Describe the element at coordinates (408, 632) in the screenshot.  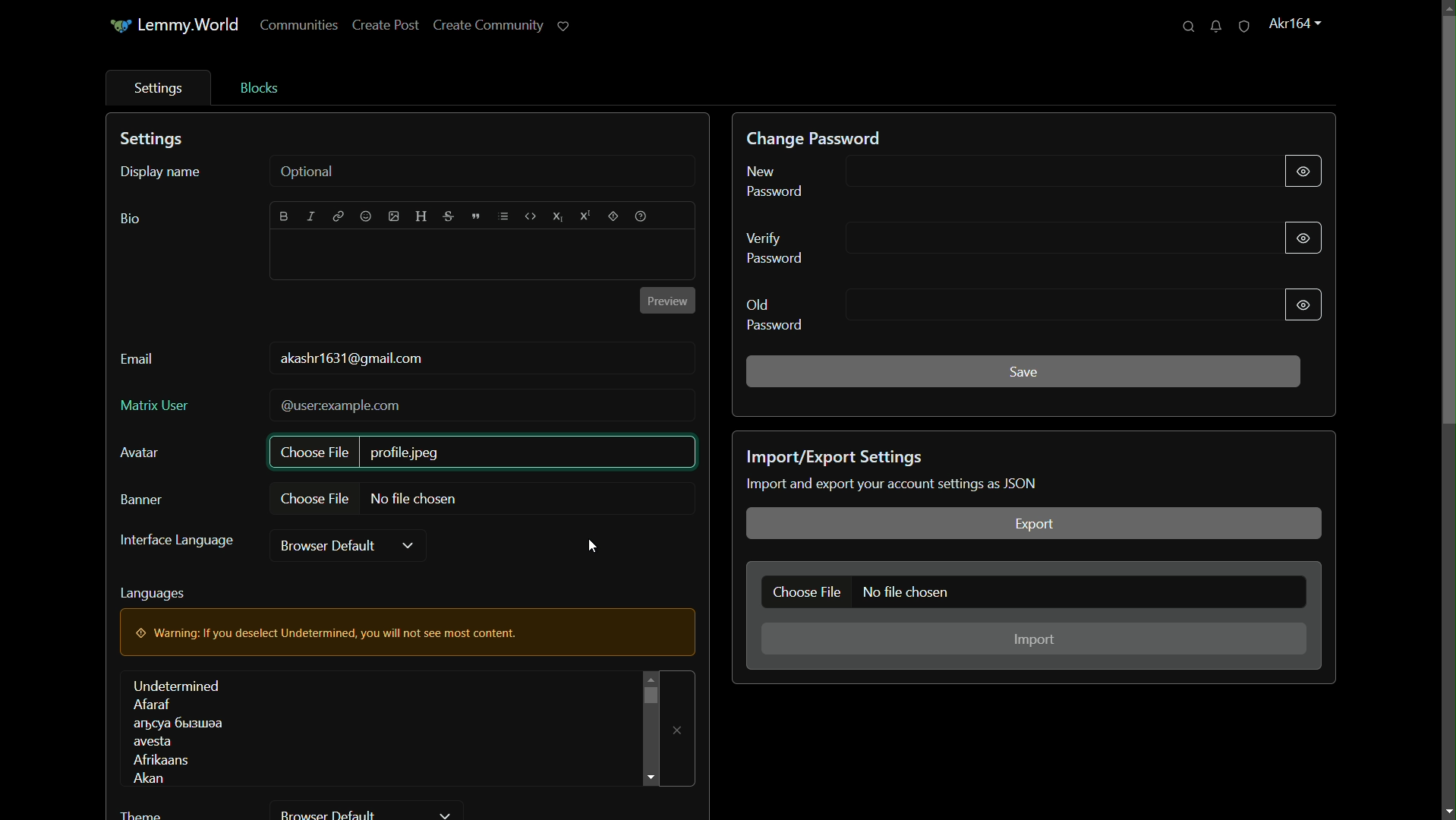
I see `warning pop up` at that location.